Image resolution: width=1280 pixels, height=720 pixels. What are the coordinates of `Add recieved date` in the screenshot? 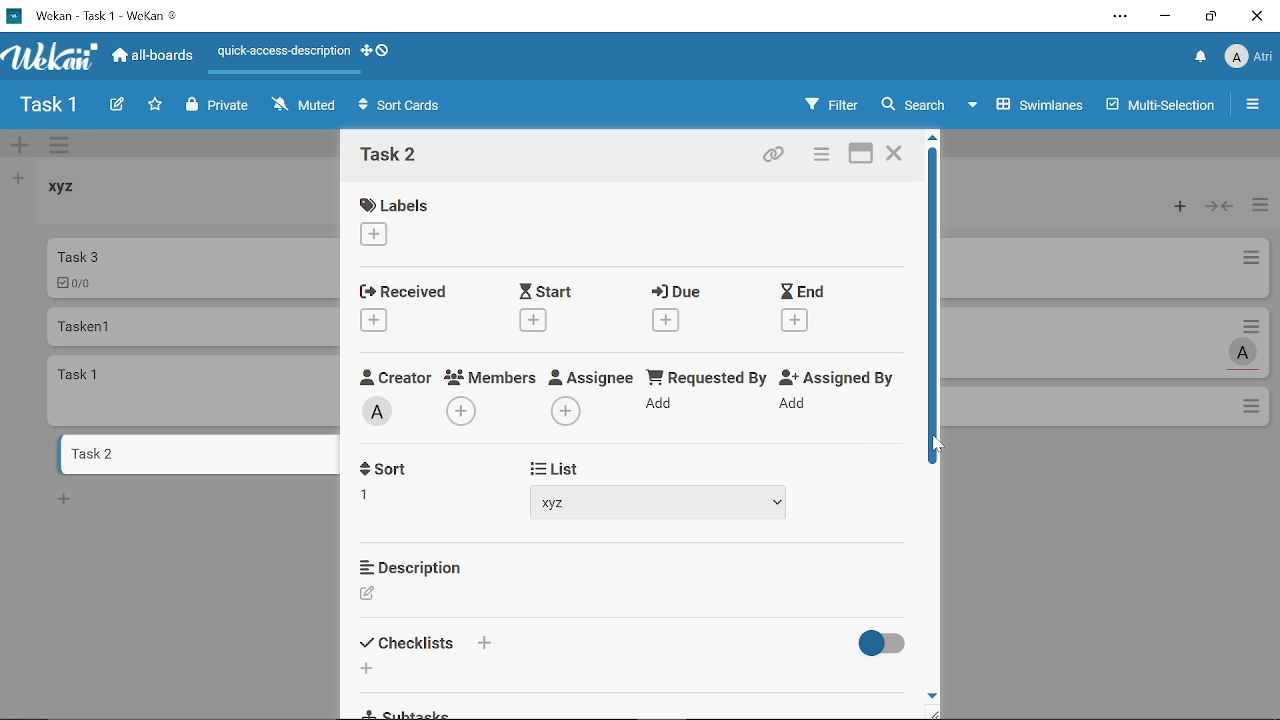 It's located at (376, 321).